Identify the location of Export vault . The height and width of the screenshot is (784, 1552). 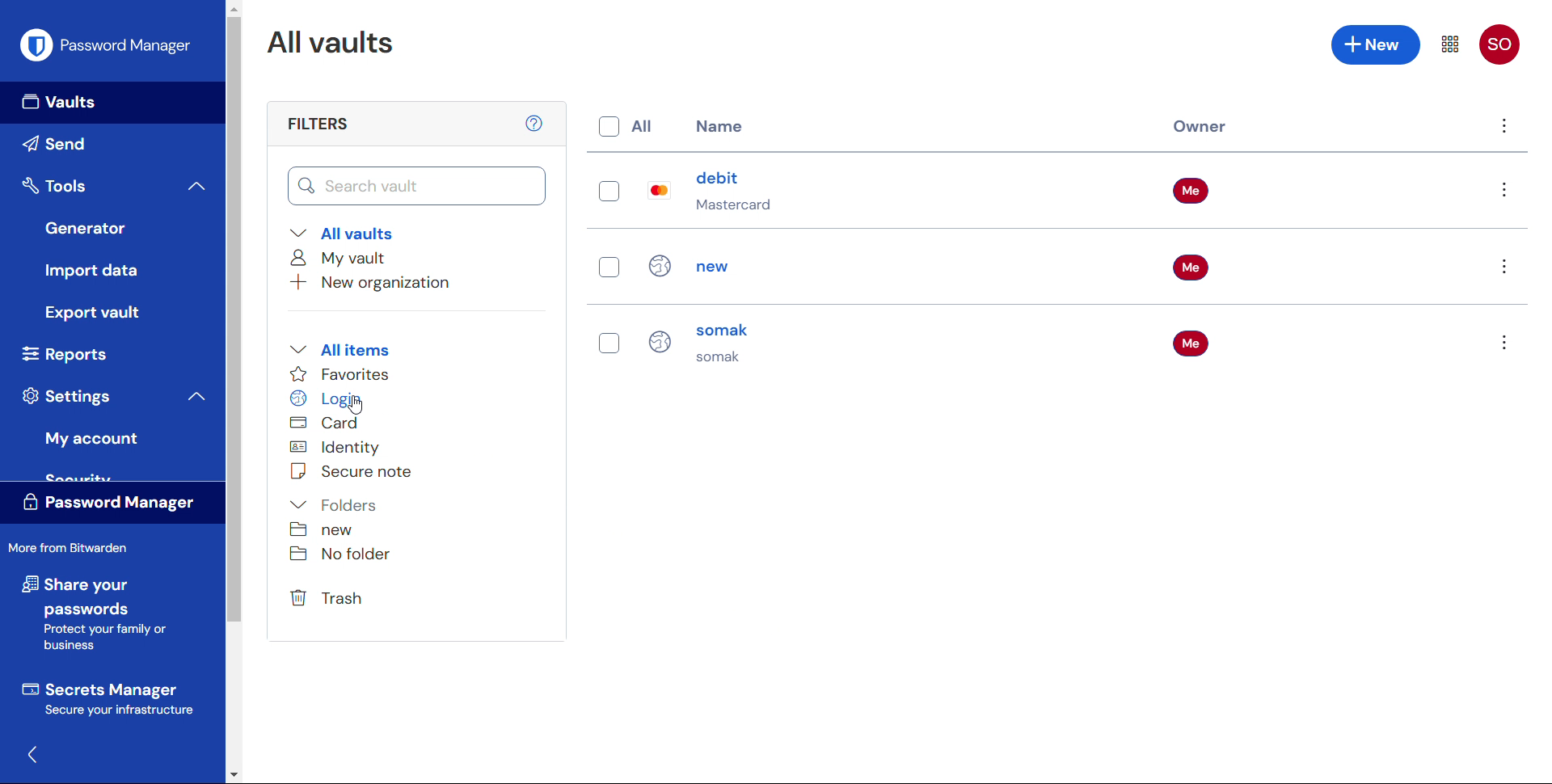
(91, 310).